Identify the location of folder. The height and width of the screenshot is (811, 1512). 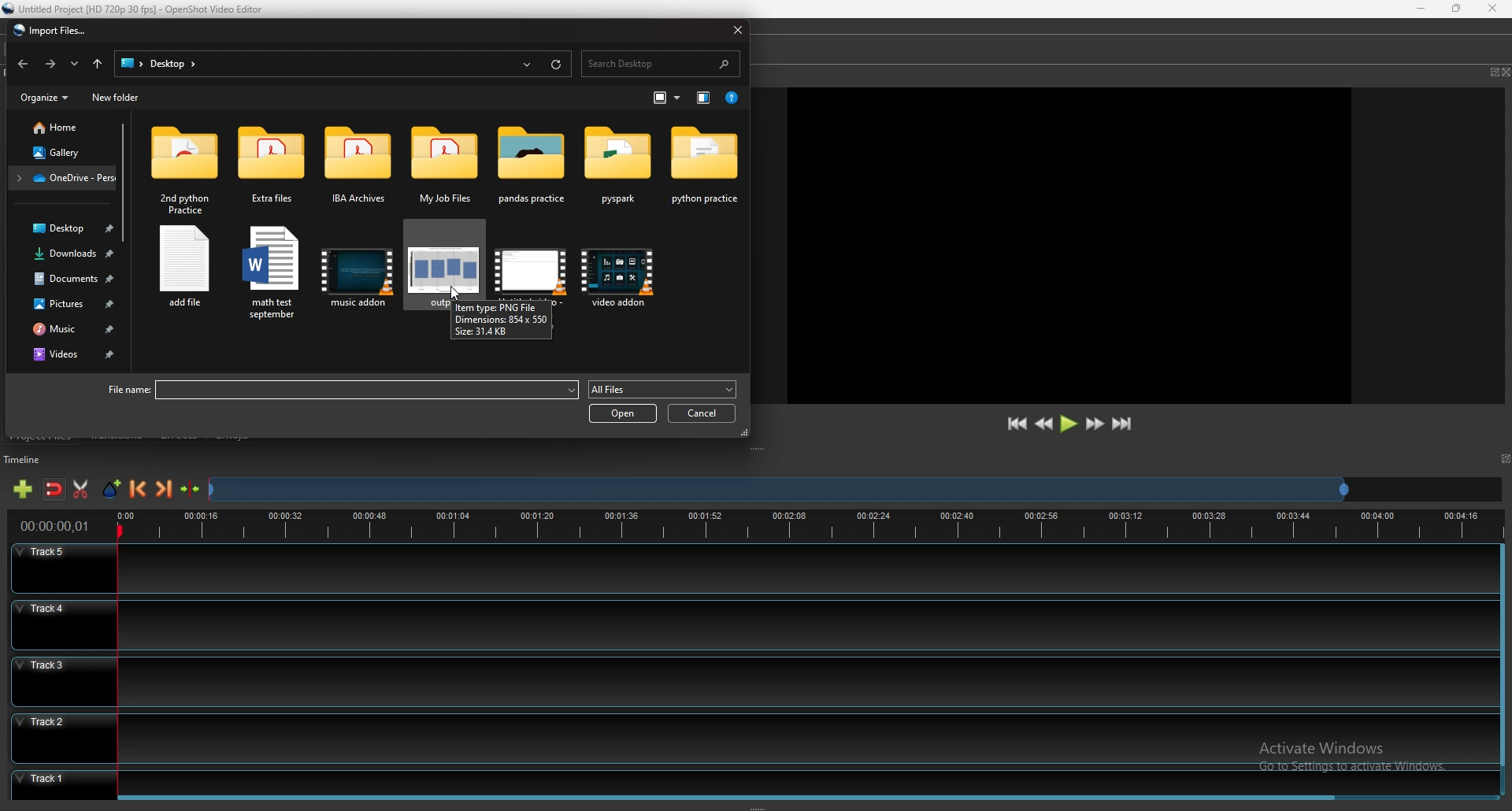
(61, 178).